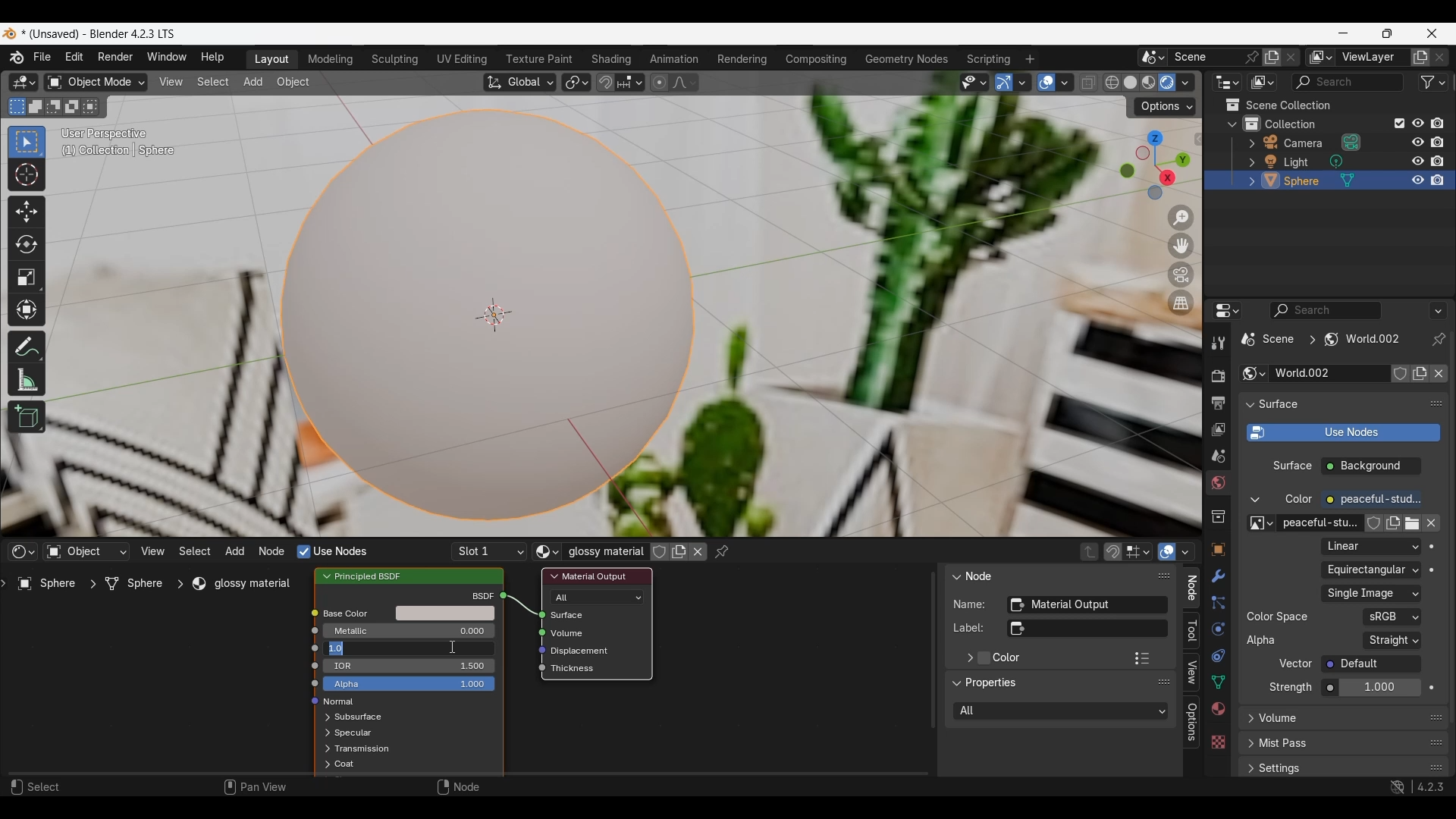  Describe the element at coordinates (27, 212) in the screenshot. I see `Move` at that location.